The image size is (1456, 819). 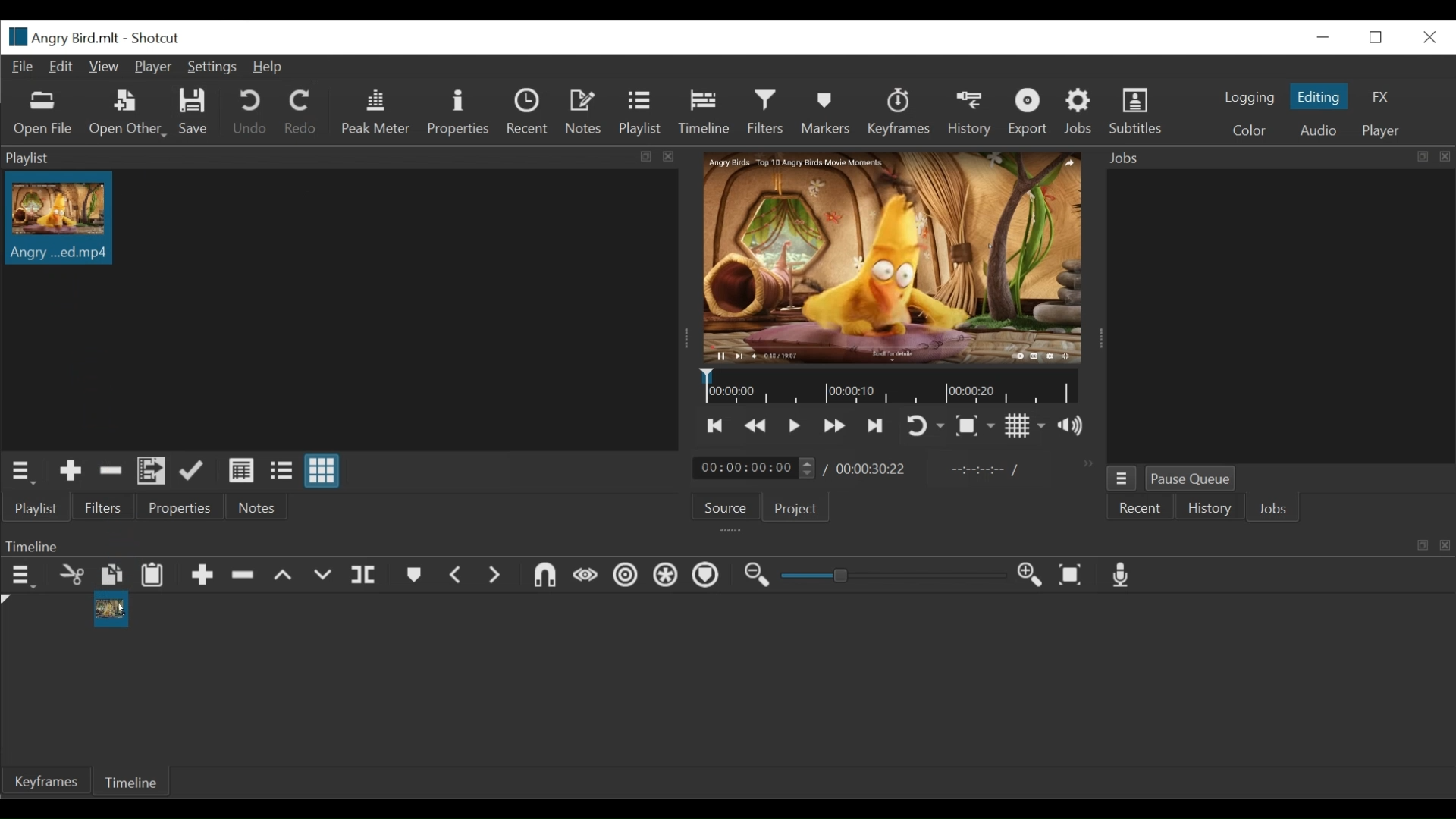 I want to click on color, so click(x=1248, y=131).